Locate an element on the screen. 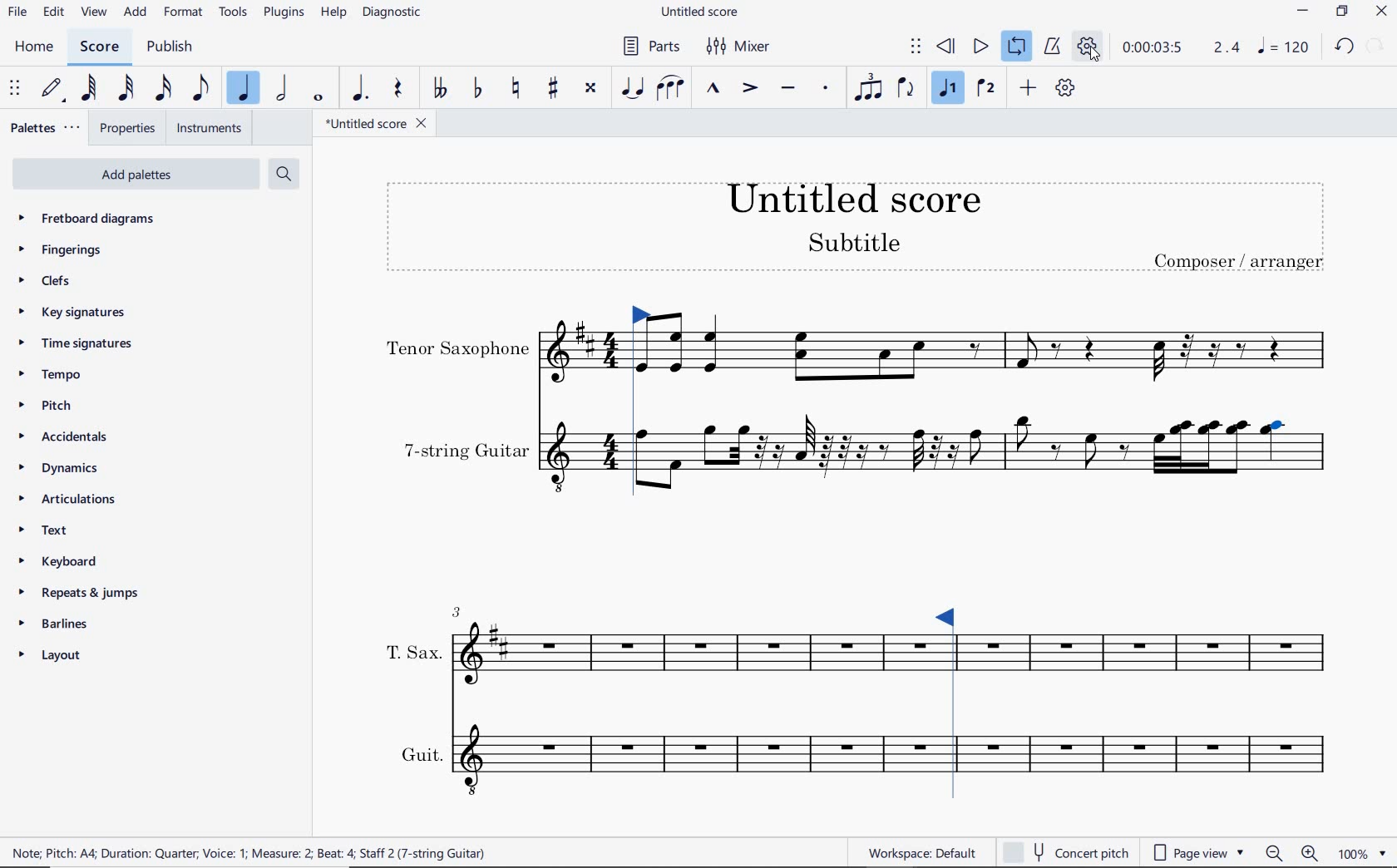 The image size is (1397, 868). ACCIDENTALS is located at coordinates (60, 439).